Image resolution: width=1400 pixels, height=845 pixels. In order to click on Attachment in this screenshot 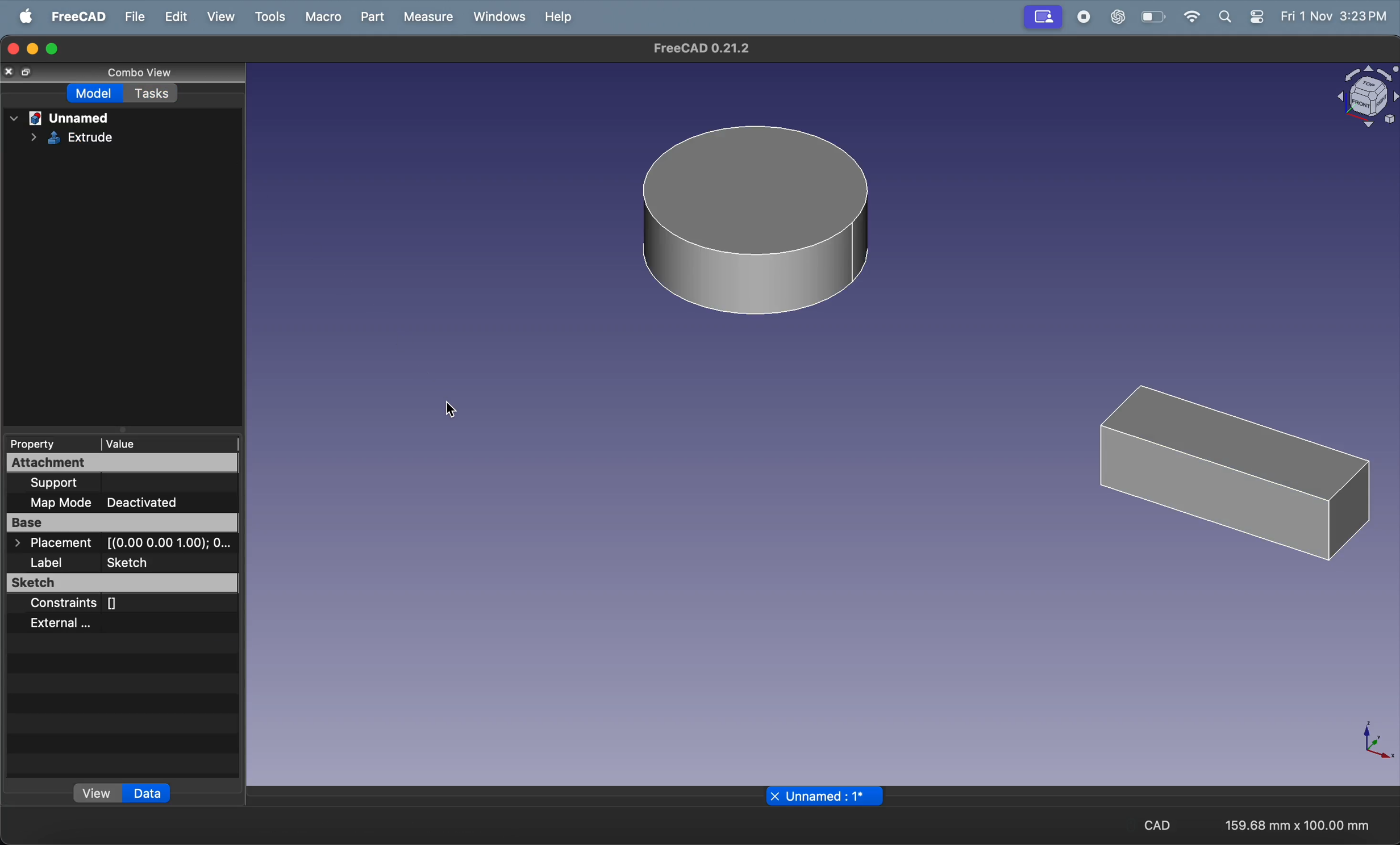, I will do `click(122, 463)`.